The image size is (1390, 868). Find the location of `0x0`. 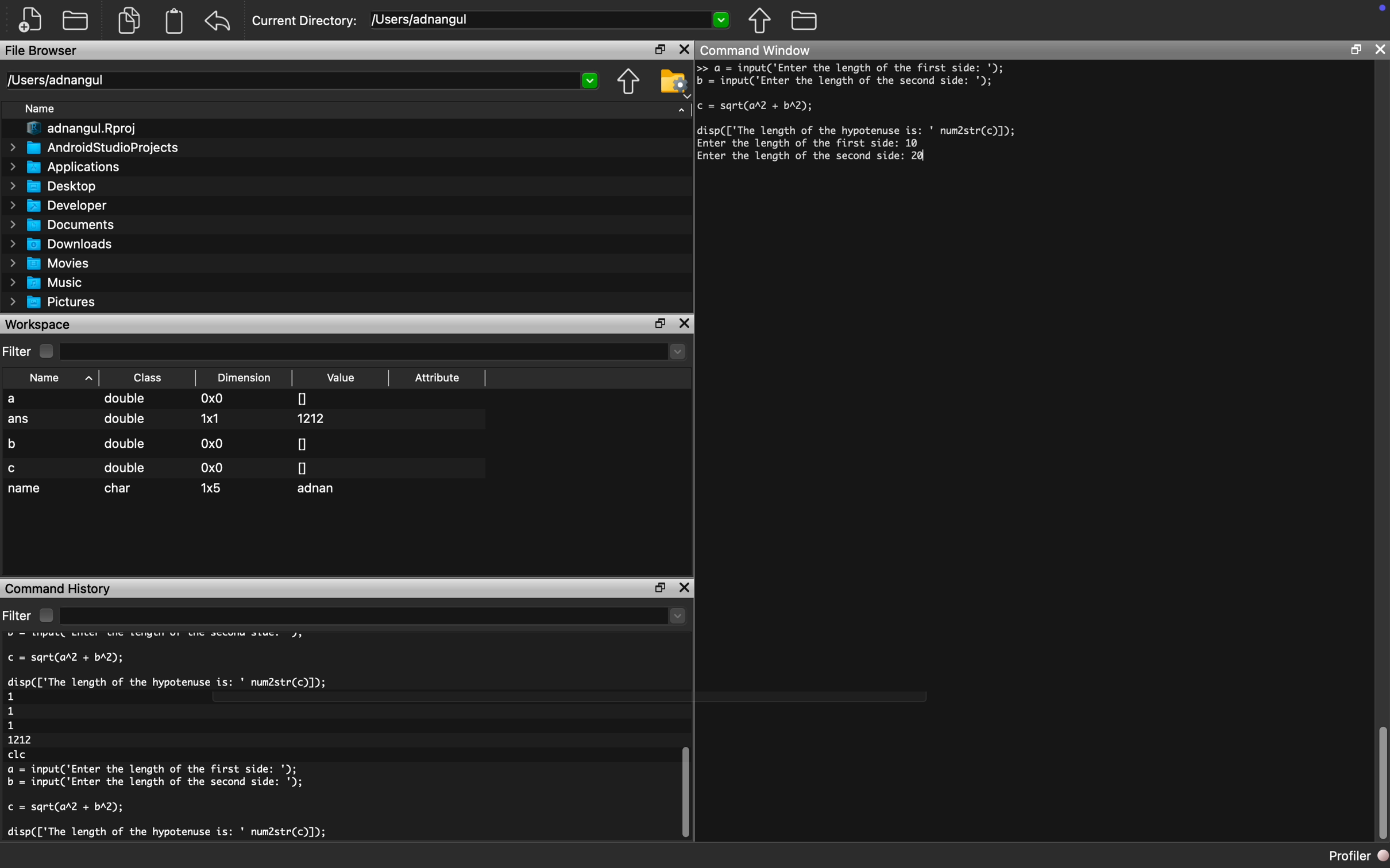

0x0 is located at coordinates (213, 443).